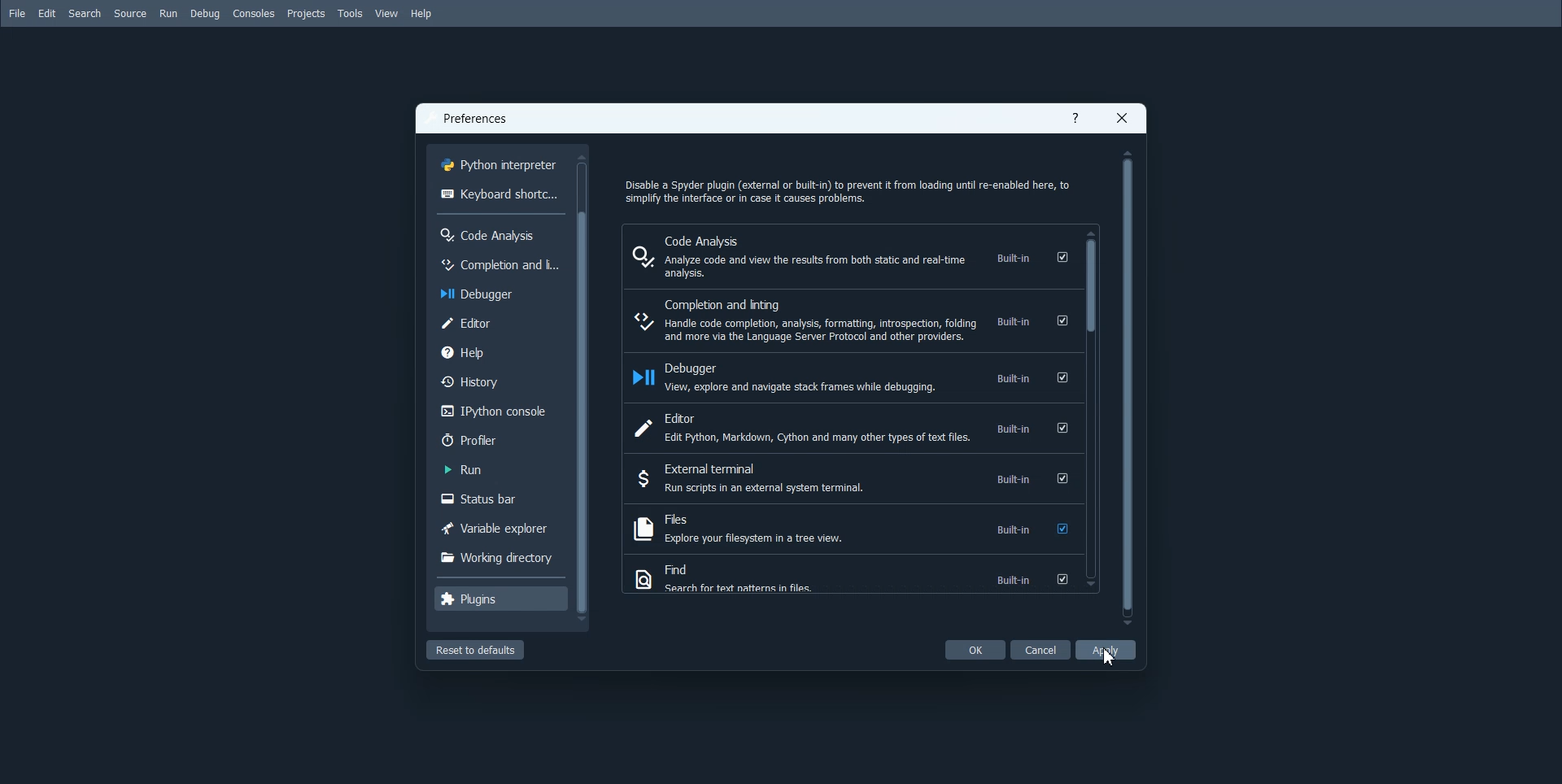 Image resolution: width=1562 pixels, height=784 pixels. Describe the element at coordinates (850, 377) in the screenshot. I see `Debugger` at that location.